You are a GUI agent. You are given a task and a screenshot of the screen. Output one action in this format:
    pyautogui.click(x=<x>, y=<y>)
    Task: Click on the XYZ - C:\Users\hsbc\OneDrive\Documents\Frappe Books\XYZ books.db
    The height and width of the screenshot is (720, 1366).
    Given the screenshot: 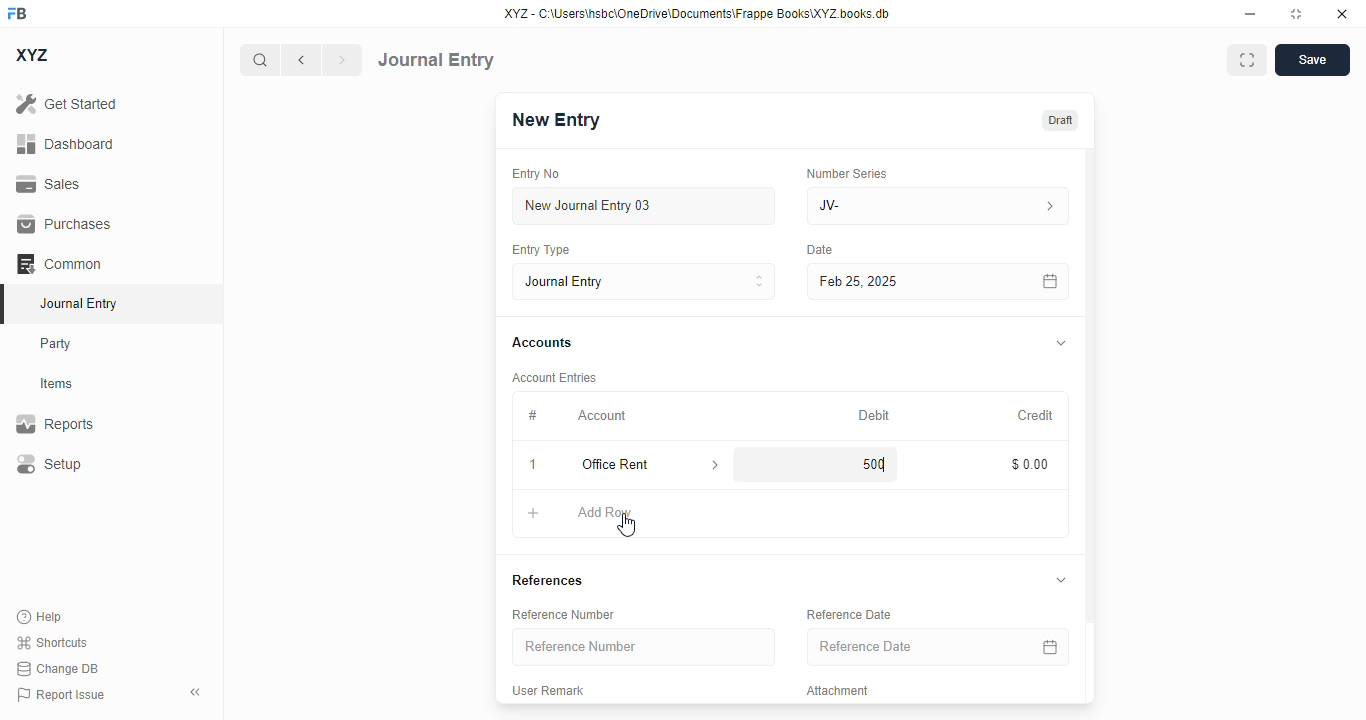 What is the action you would take?
    pyautogui.click(x=697, y=13)
    